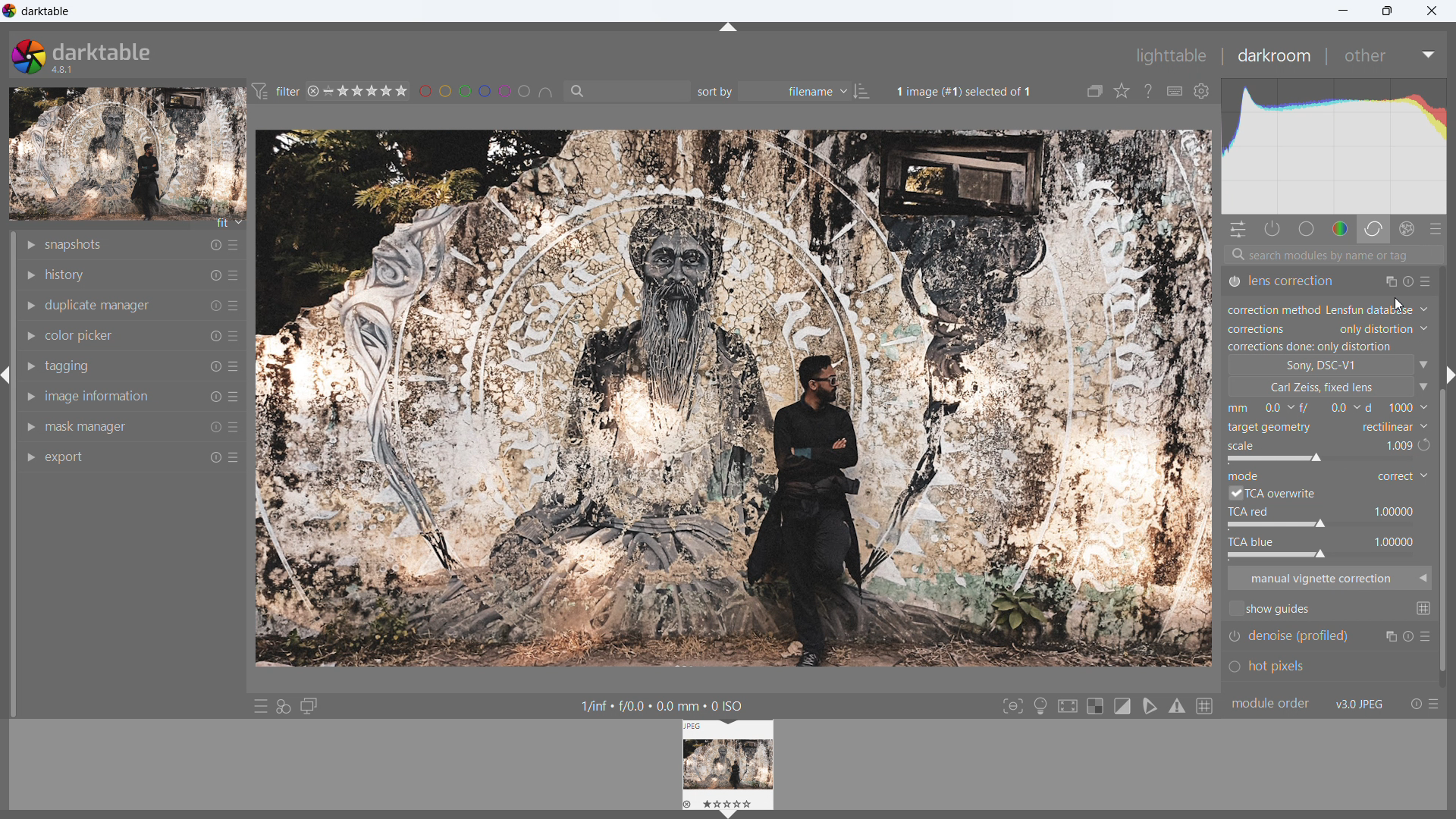  I want to click on show module, so click(33, 396).